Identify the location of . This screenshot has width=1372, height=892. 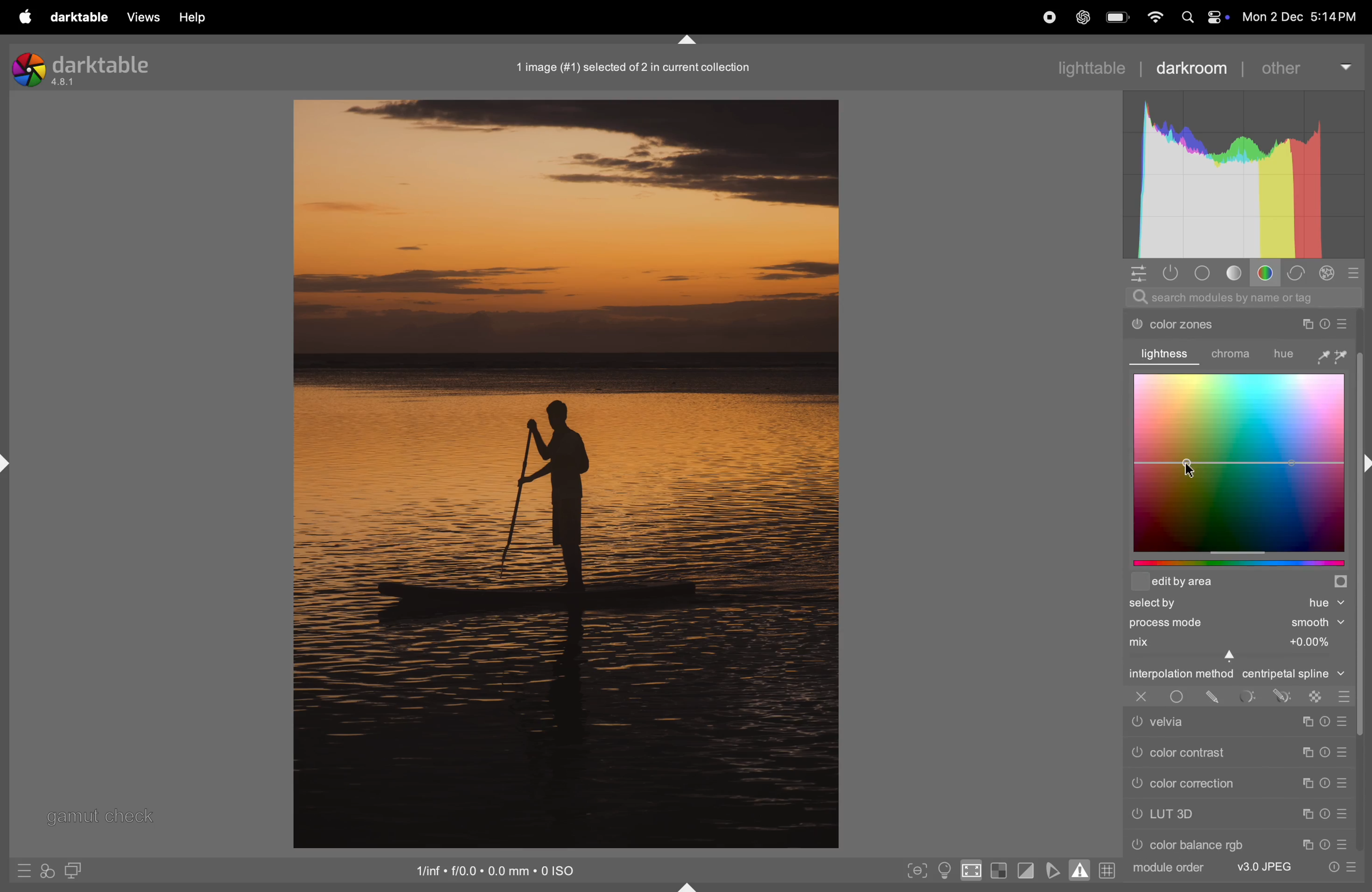
(1298, 273).